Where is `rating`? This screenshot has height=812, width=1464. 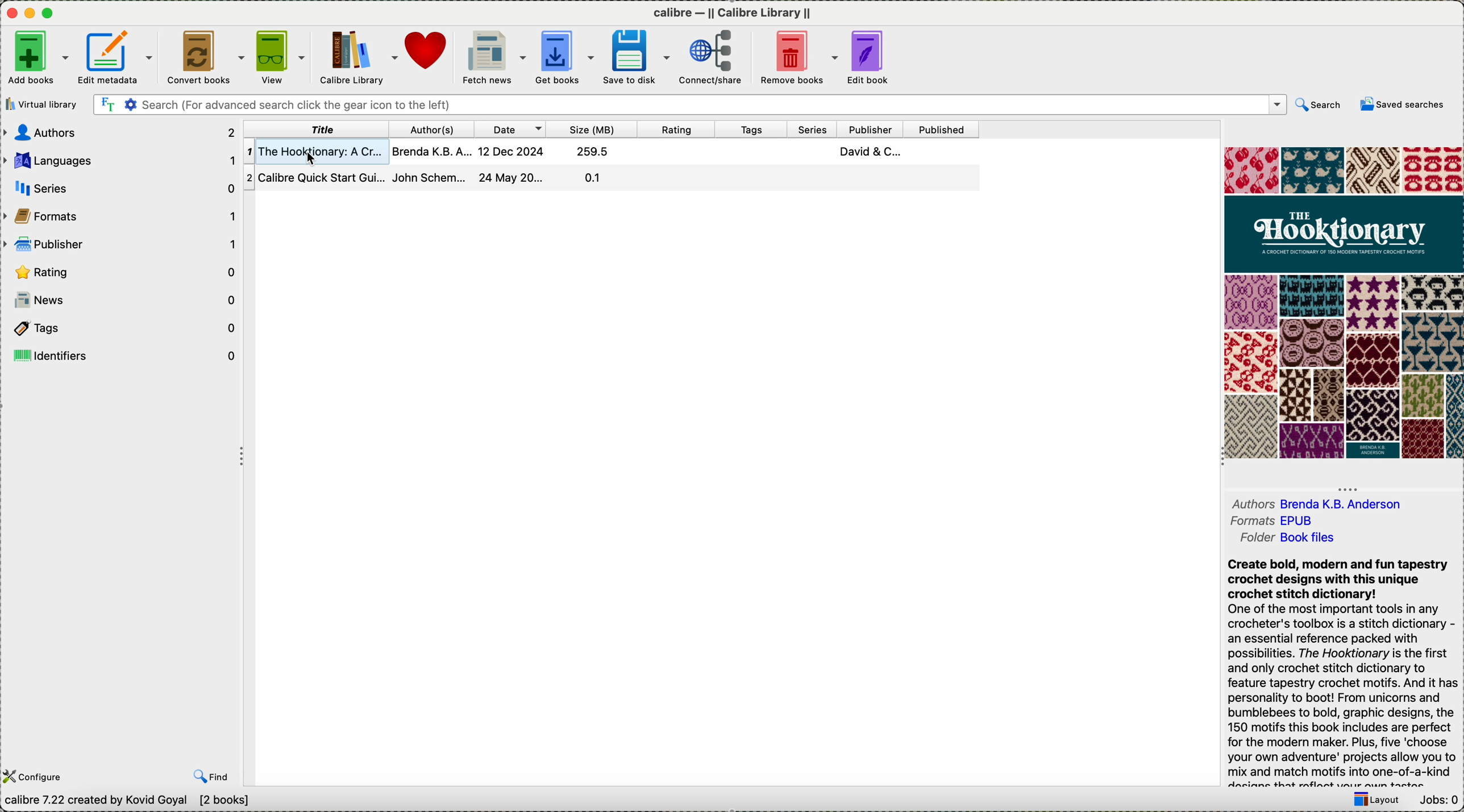
rating is located at coordinates (123, 272).